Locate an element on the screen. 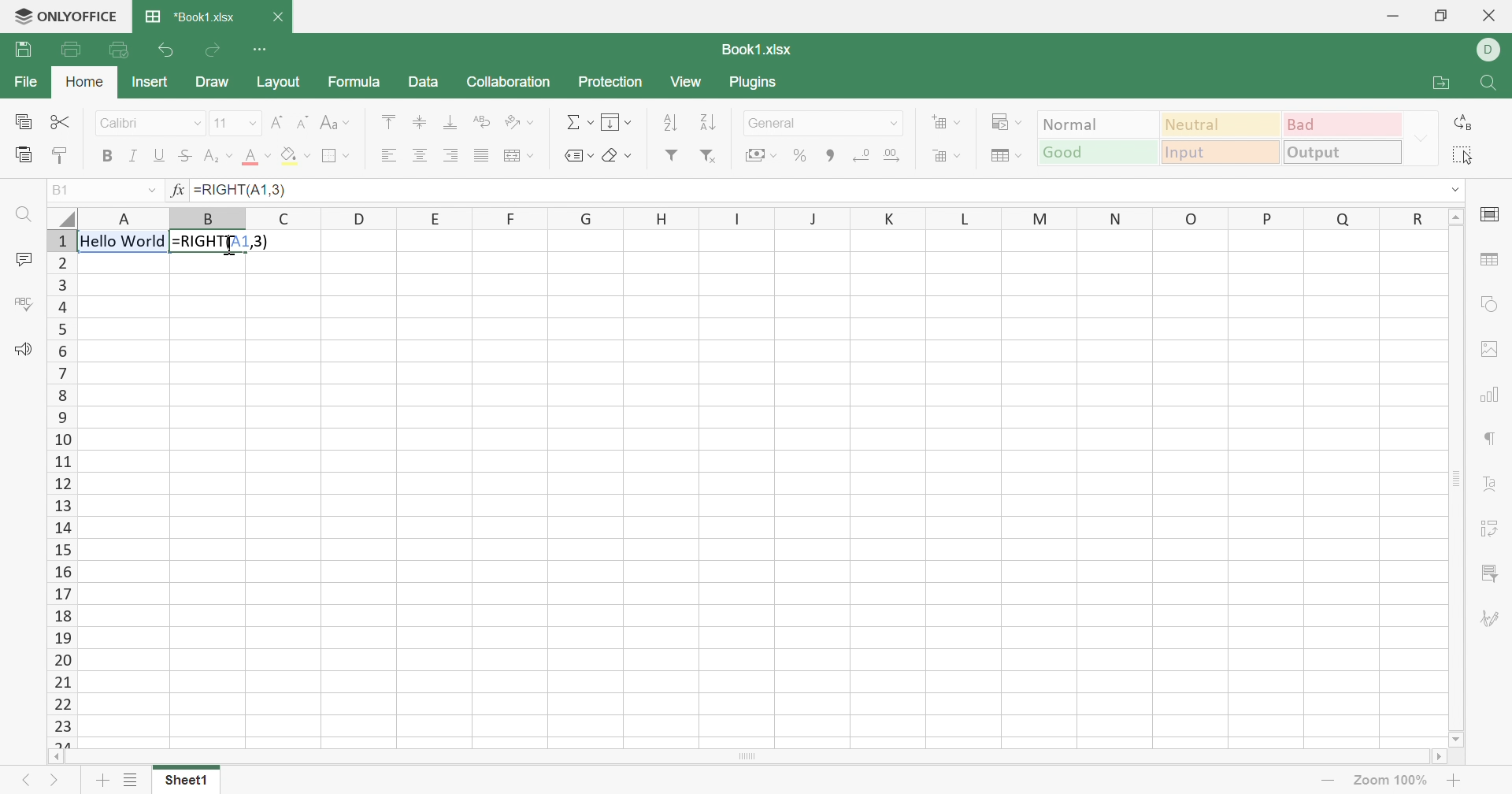  Drop down is located at coordinates (147, 190).